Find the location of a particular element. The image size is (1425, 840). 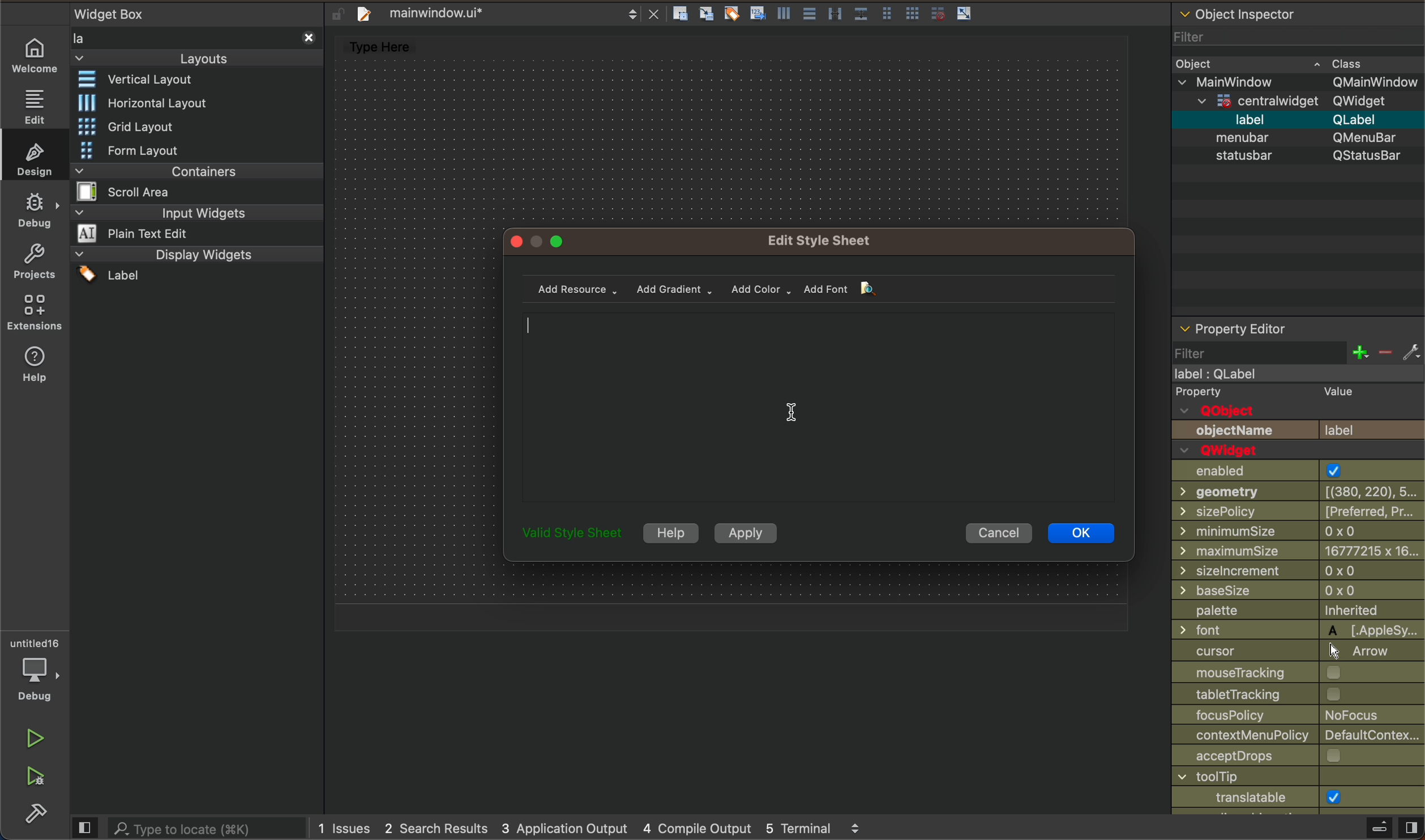

enabled is located at coordinates (1296, 463).